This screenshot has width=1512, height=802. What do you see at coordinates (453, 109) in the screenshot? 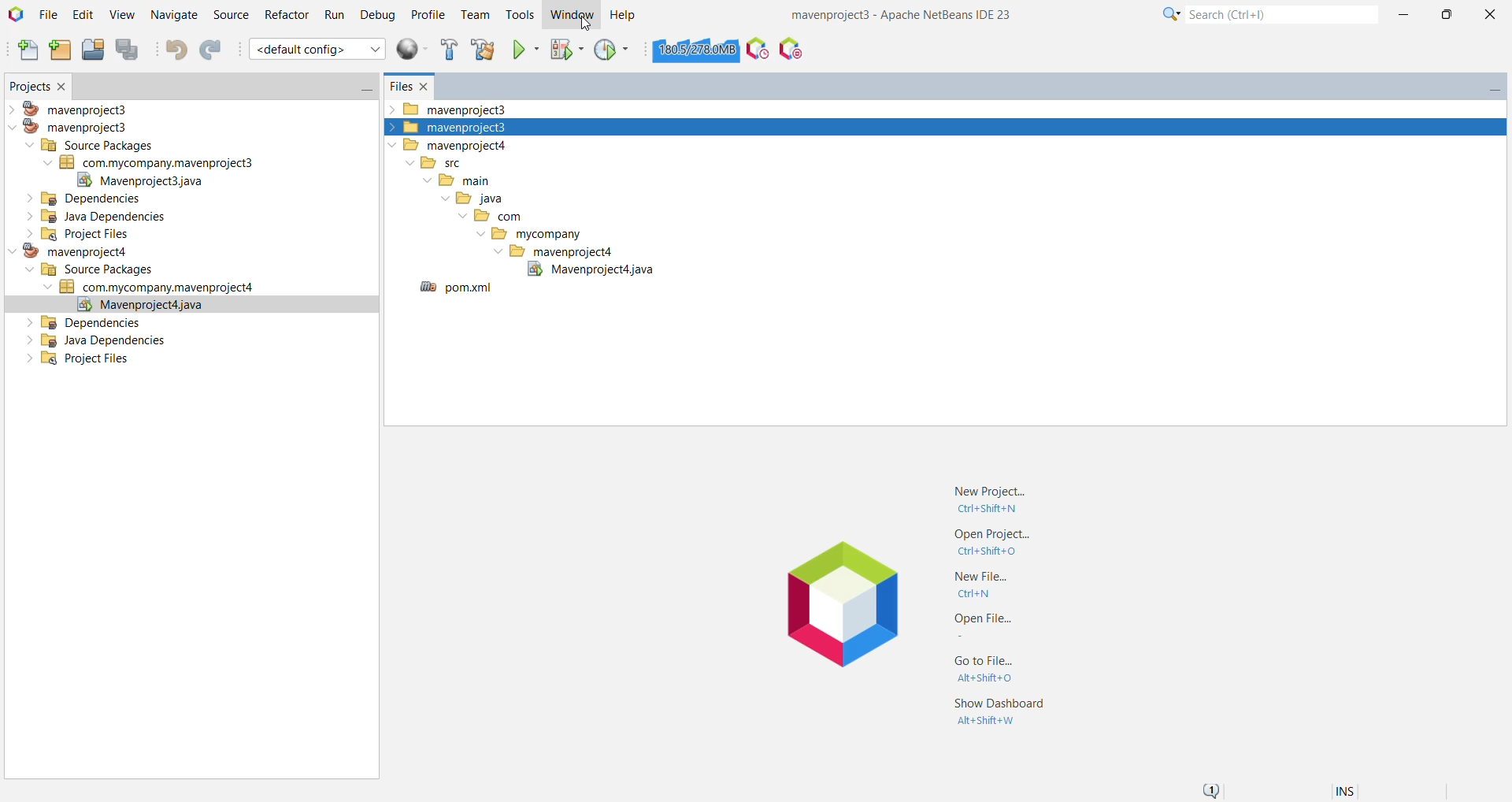
I see `mavenproject3` at bounding box center [453, 109].